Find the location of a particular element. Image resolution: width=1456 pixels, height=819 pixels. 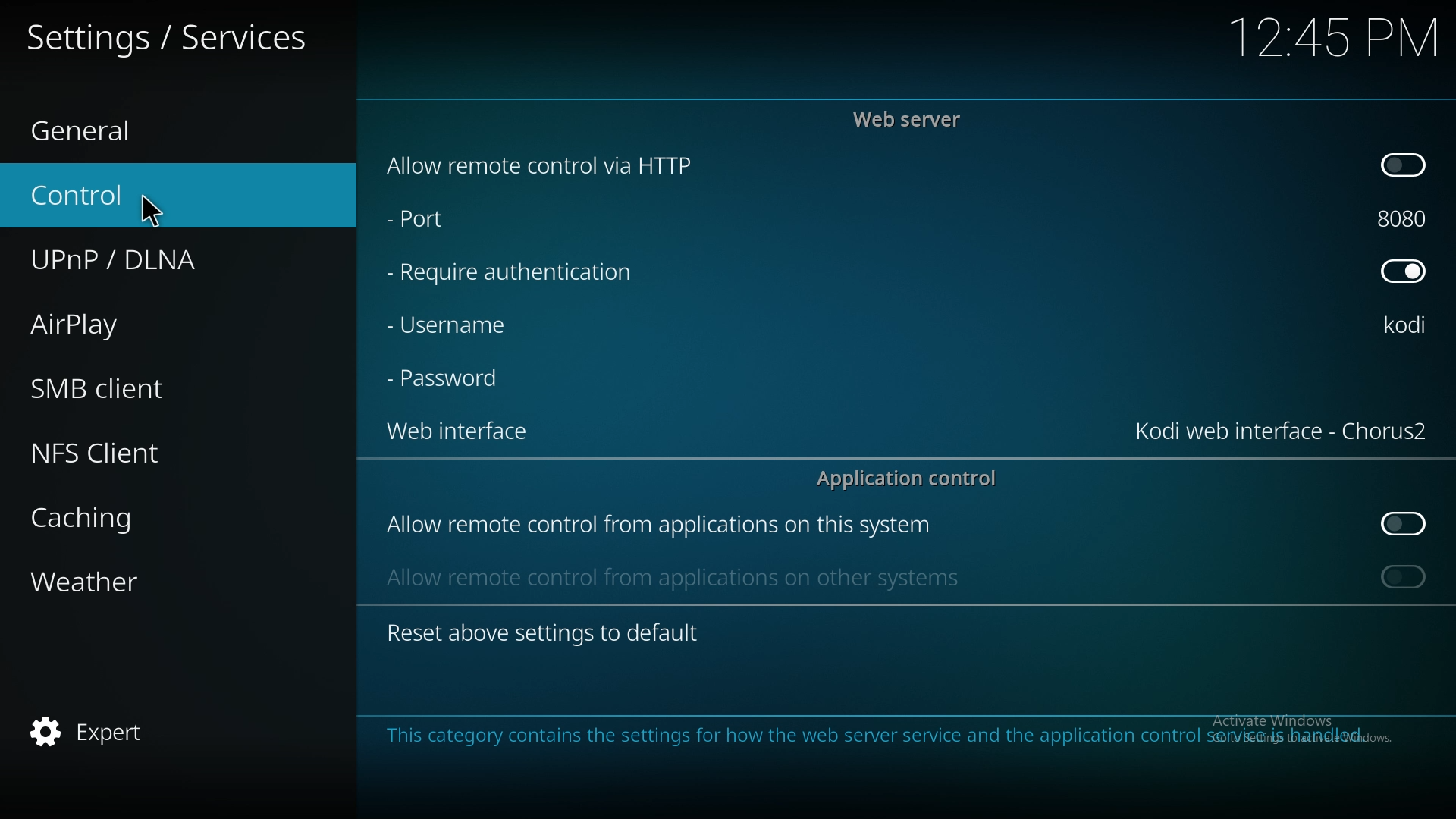

weather is located at coordinates (138, 585).